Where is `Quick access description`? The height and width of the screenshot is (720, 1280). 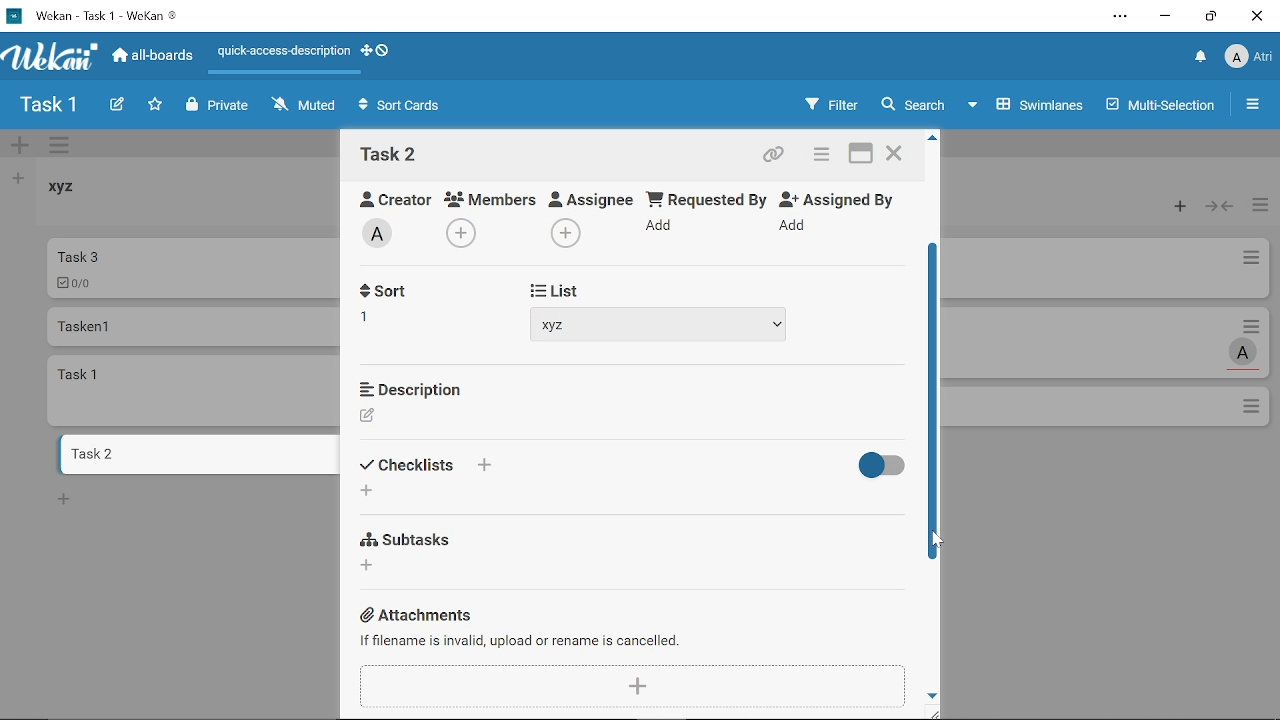 Quick access description is located at coordinates (280, 55).